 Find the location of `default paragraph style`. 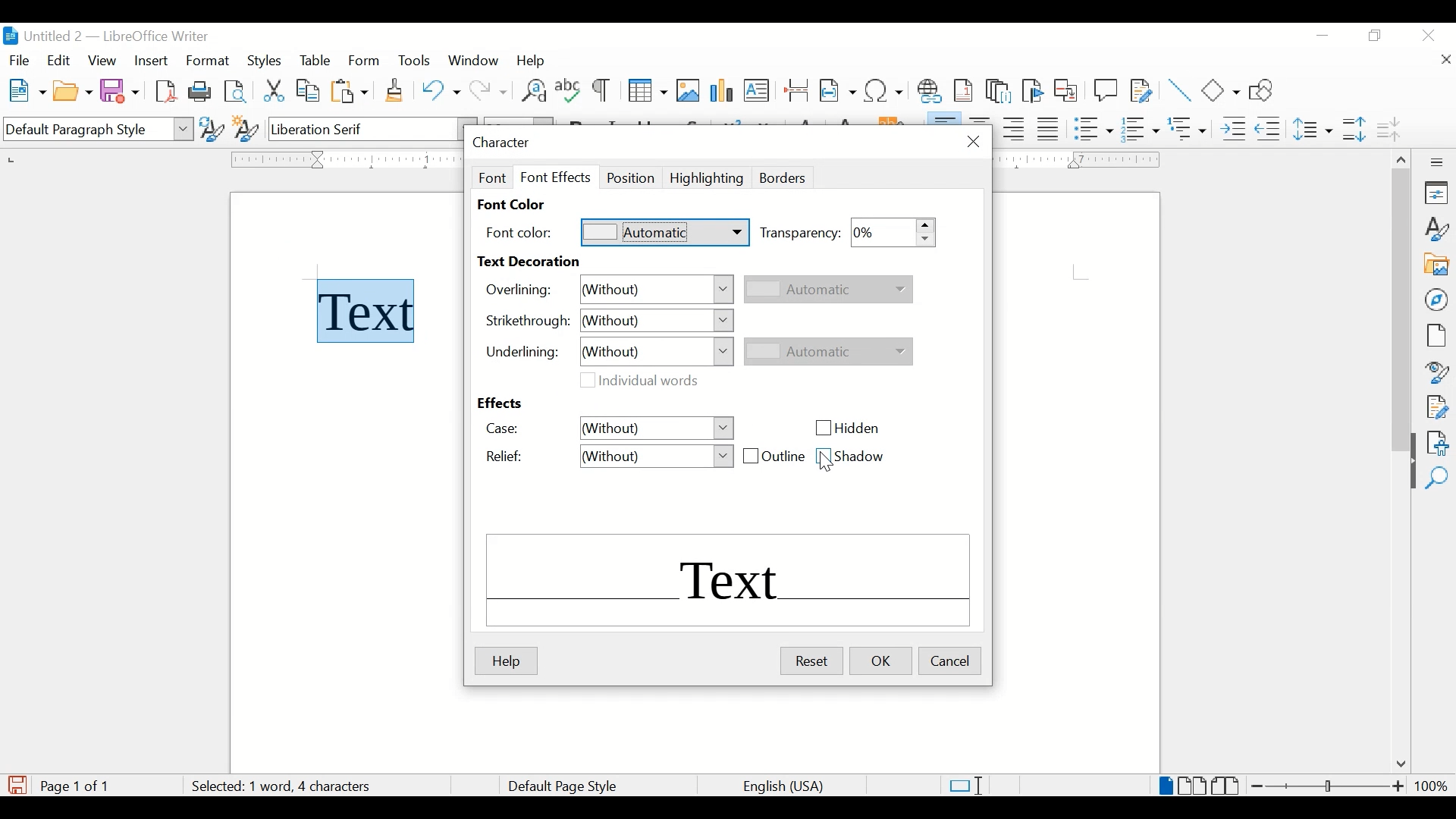

default paragraph style is located at coordinates (96, 130).